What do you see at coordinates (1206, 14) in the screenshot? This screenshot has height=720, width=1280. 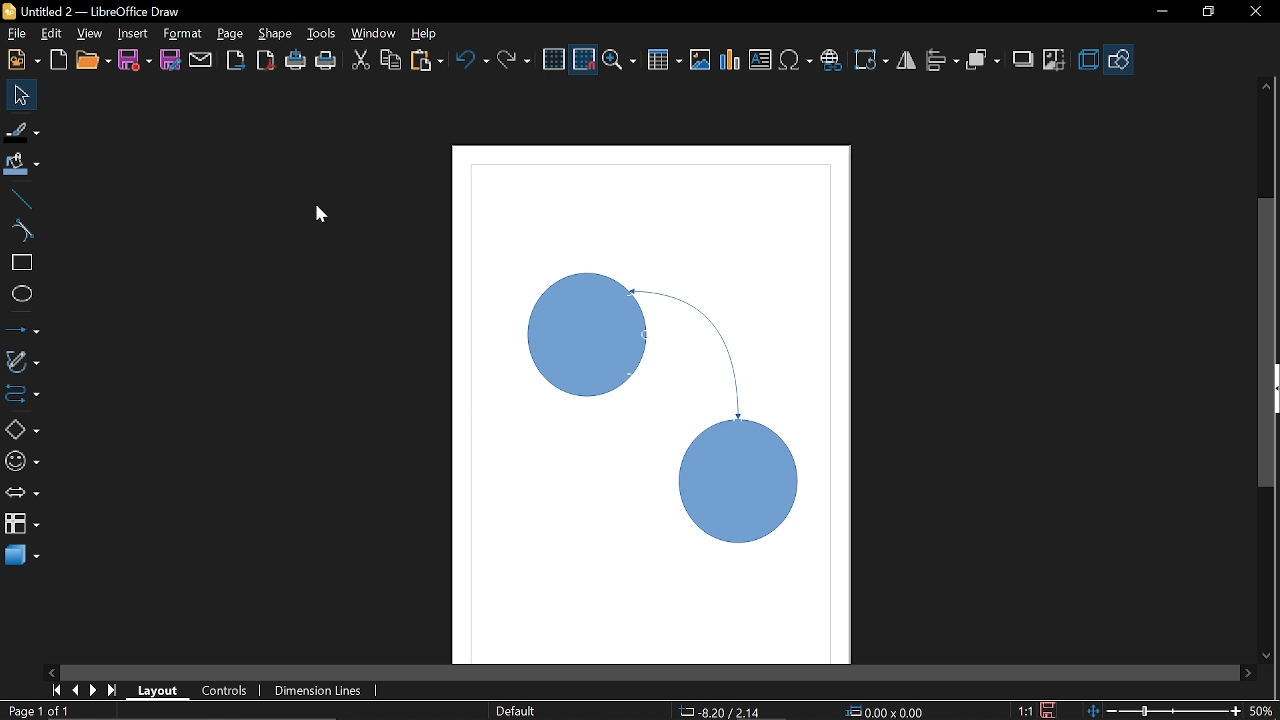 I see `Restore down` at bounding box center [1206, 14].